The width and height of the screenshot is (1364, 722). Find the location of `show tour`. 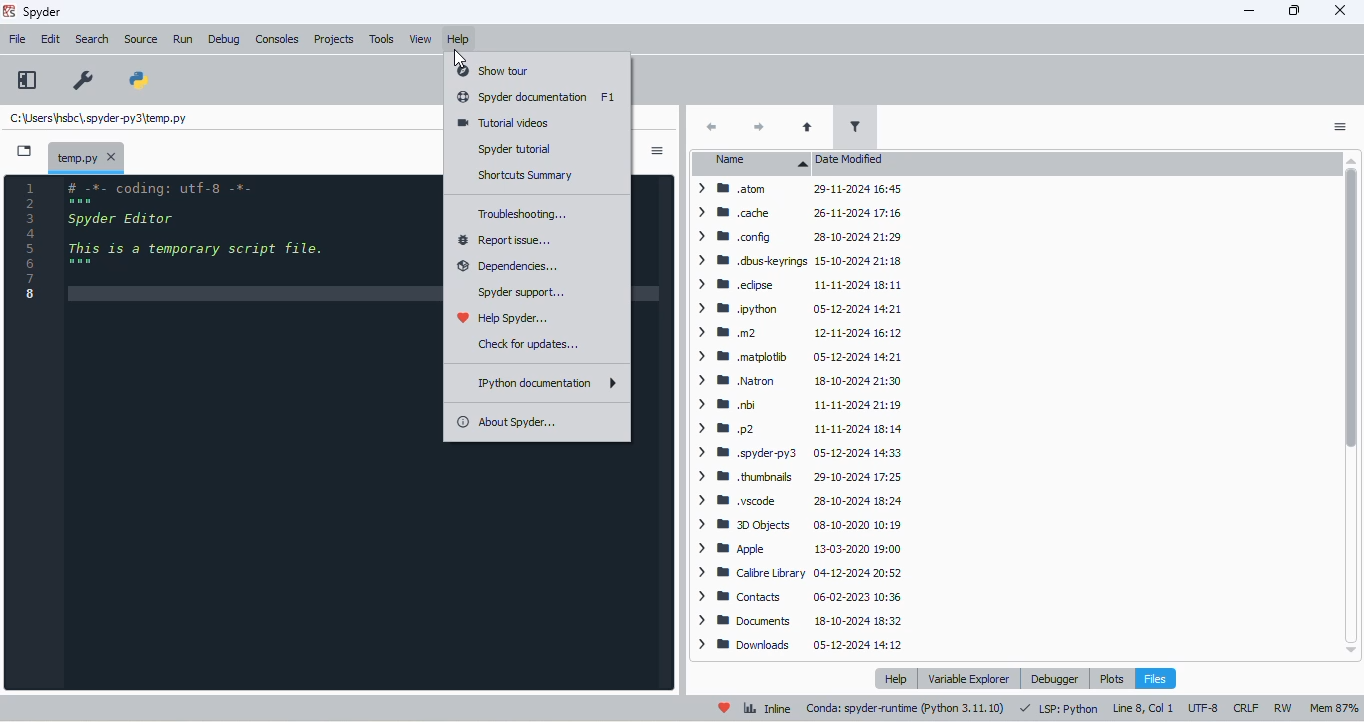

show tour is located at coordinates (492, 71).